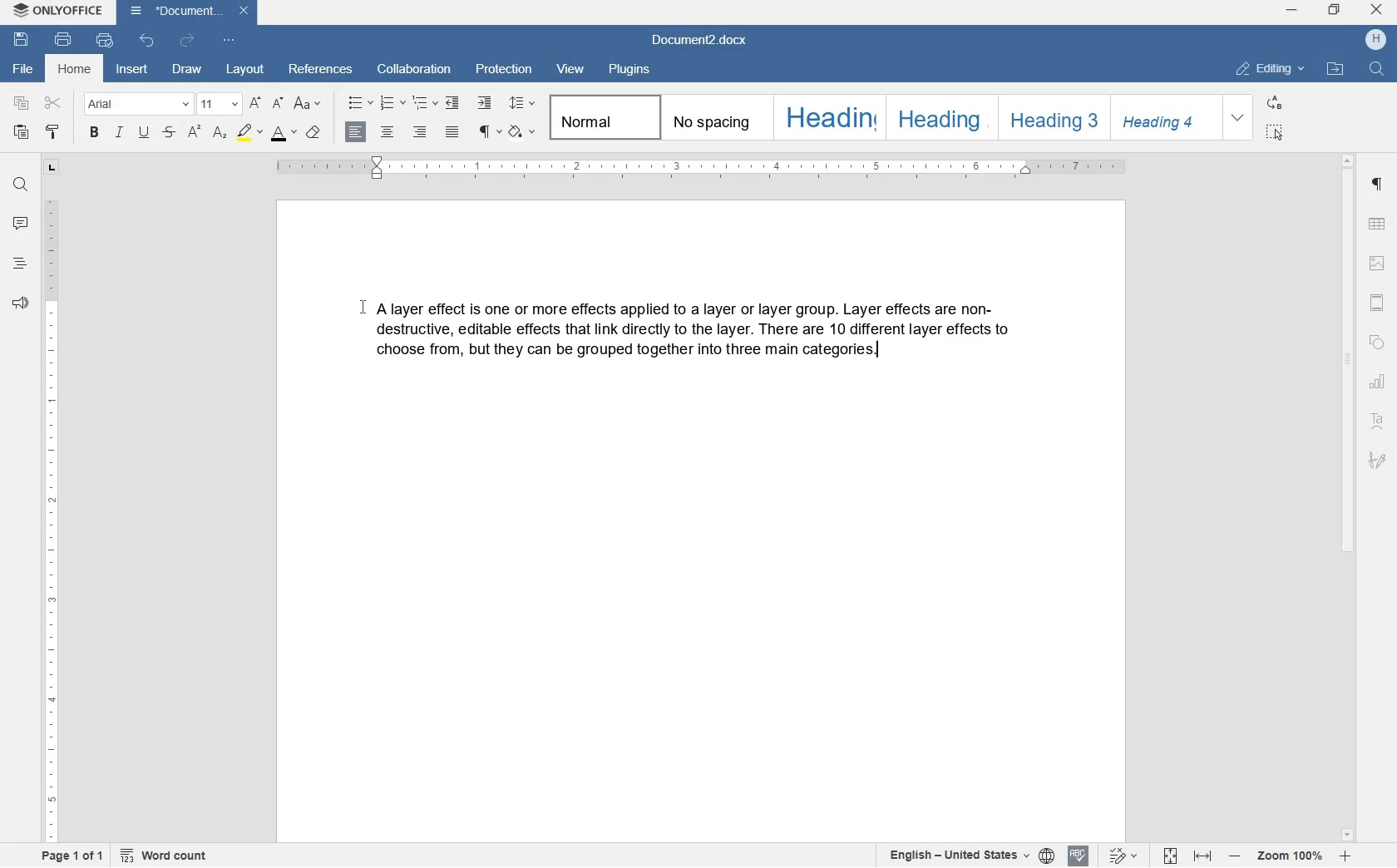  I want to click on open file location, so click(1336, 70).